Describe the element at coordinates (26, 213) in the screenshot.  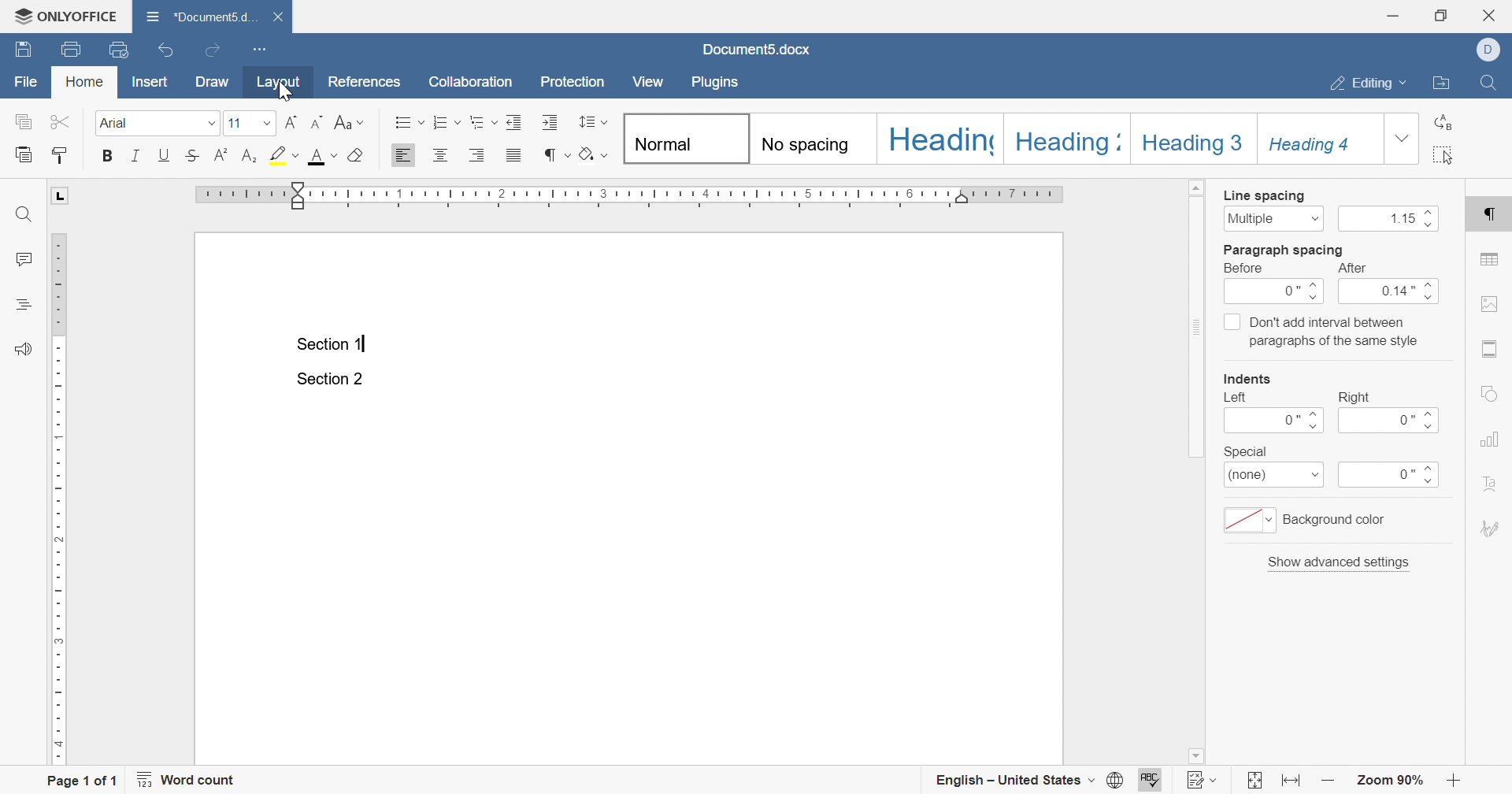
I see `find` at that location.